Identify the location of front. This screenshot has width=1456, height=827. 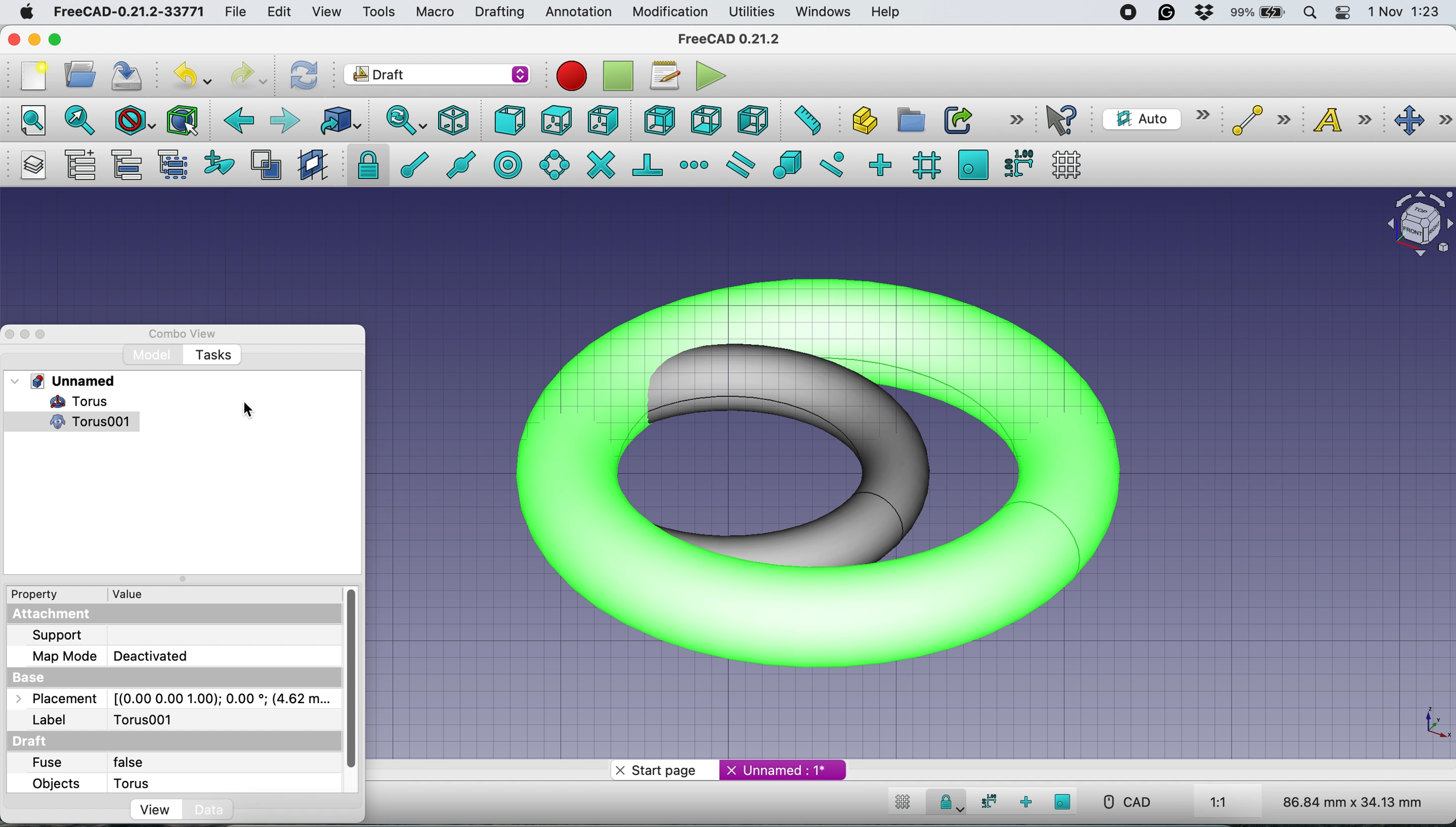
(509, 122).